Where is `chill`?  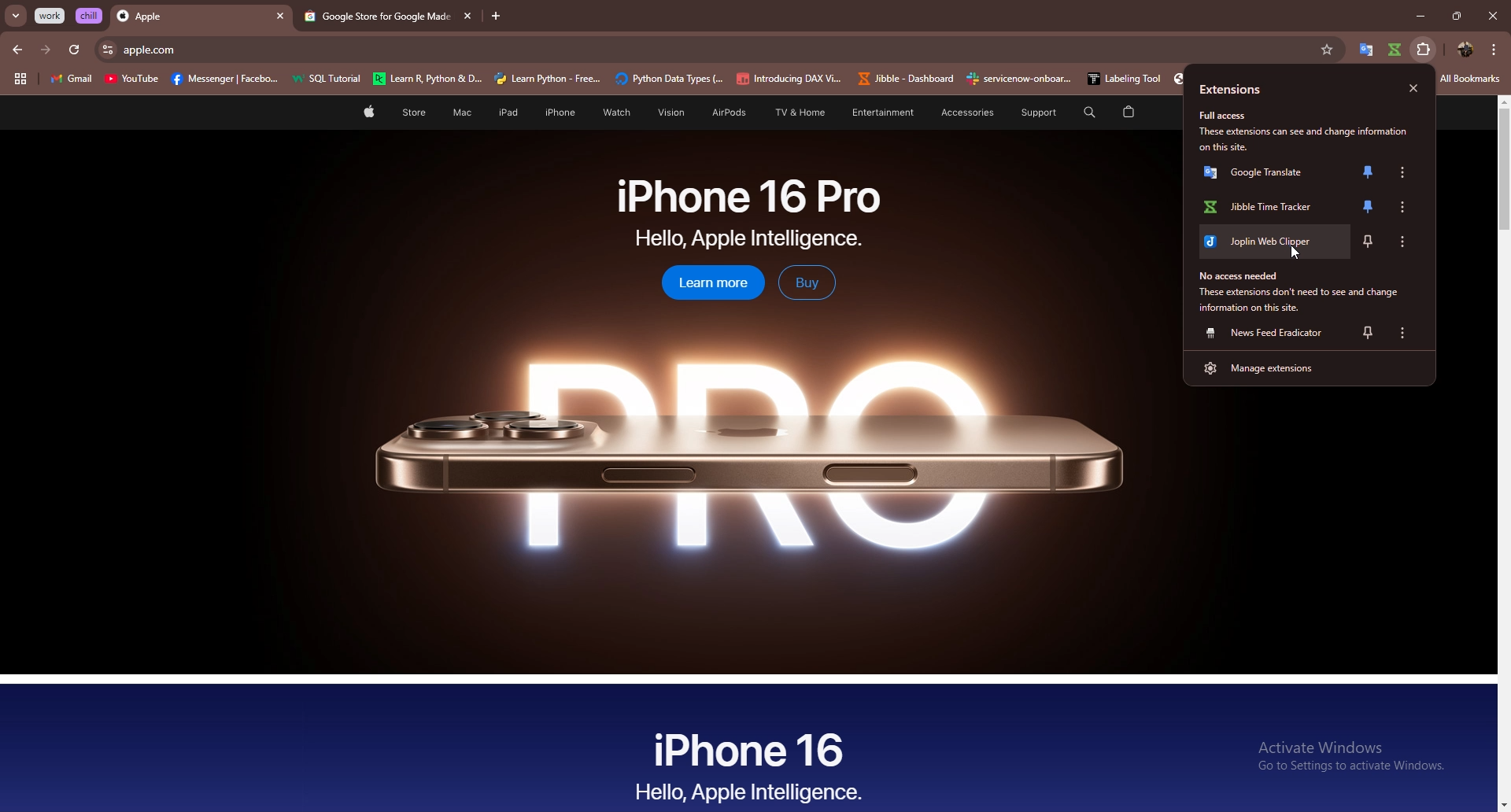
chill is located at coordinates (91, 15).